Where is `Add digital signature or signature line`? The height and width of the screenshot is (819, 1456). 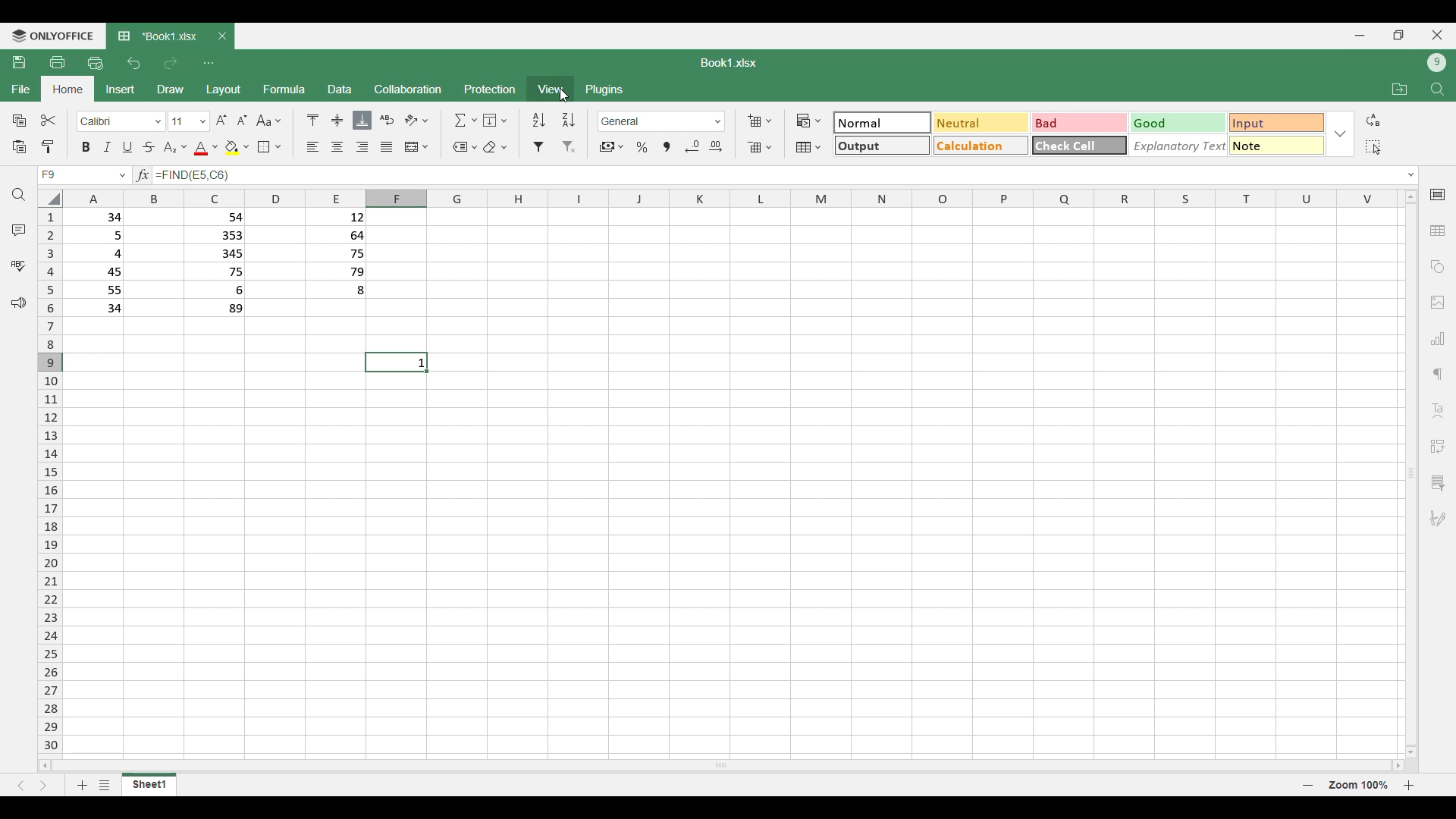 Add digital signature or signature line is located at coordinates (1437, 519).